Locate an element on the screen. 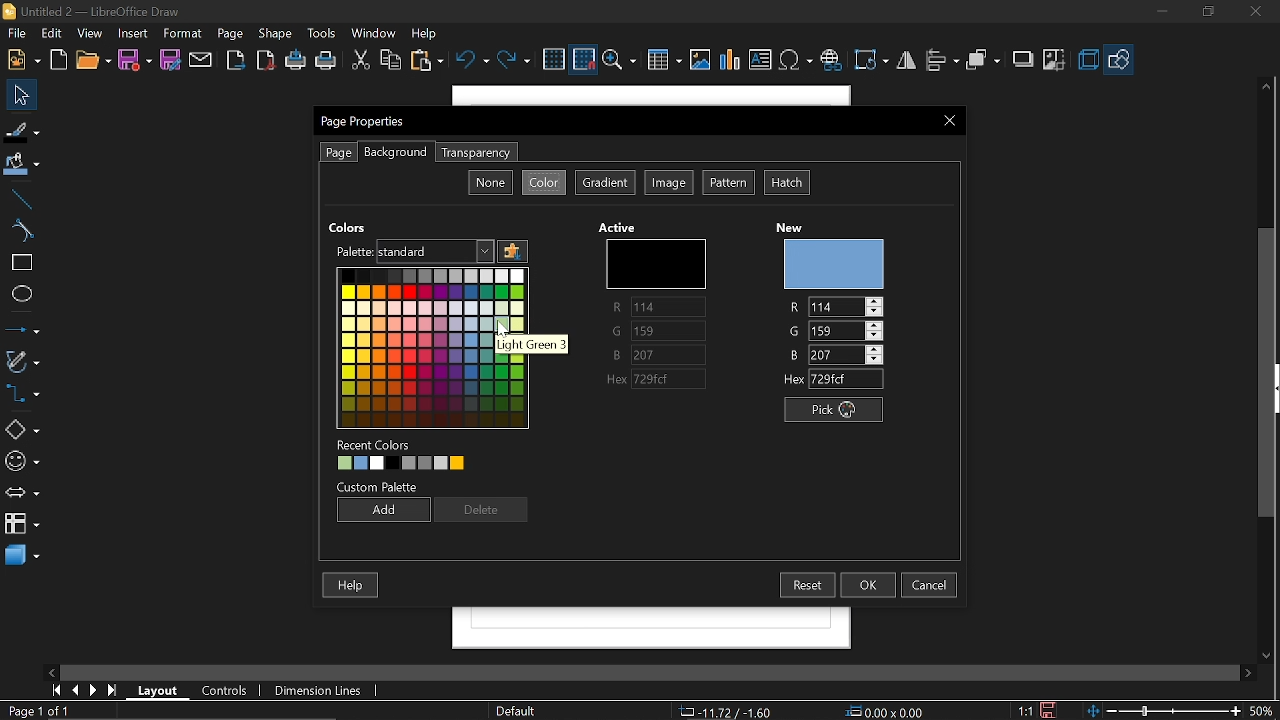 Image resolution: width=1280 pixels, height=720 pixels. Active is located at coordinates (620, 227).